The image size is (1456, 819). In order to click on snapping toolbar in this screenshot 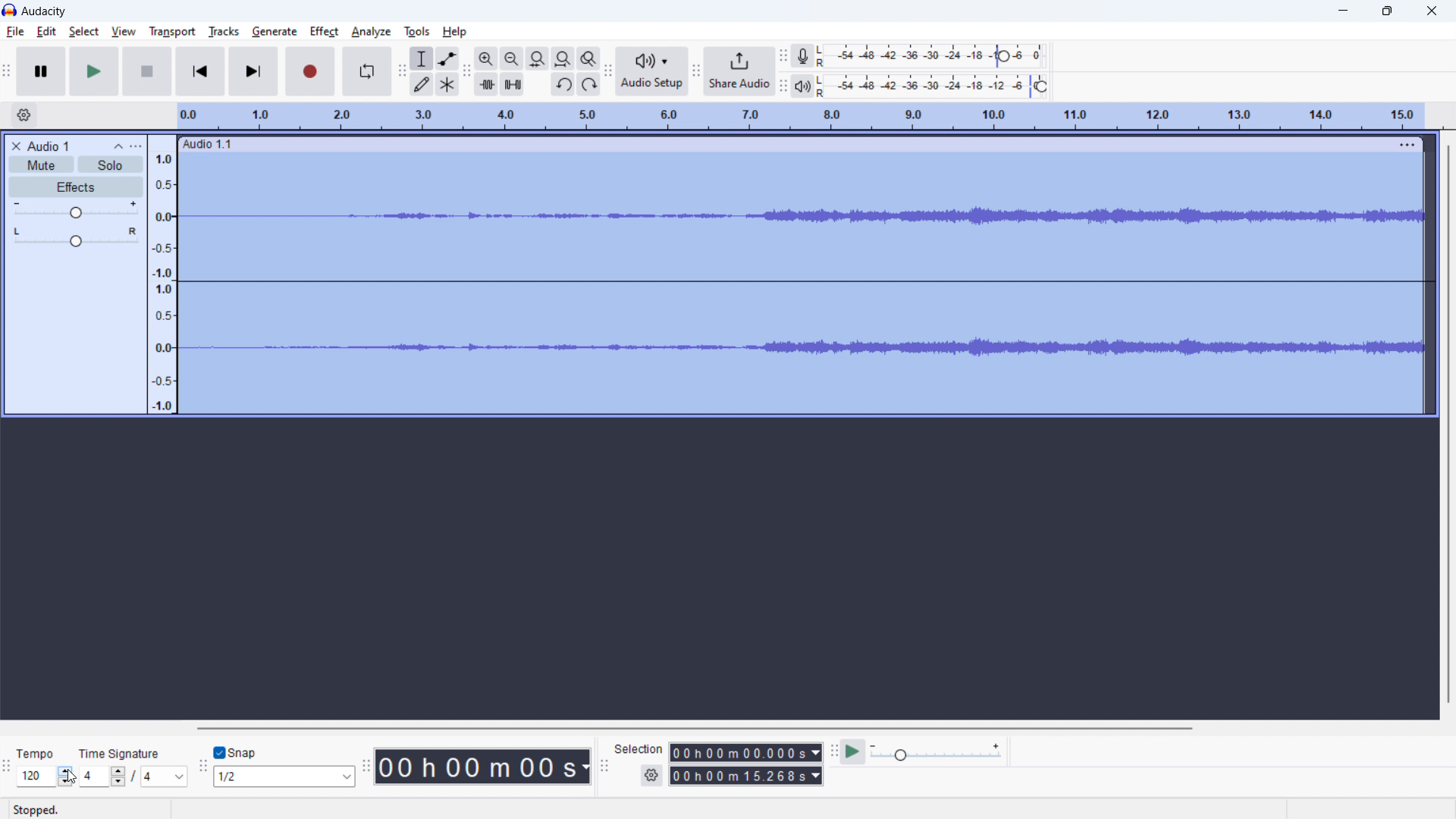, I will do `click(202, 765)`.